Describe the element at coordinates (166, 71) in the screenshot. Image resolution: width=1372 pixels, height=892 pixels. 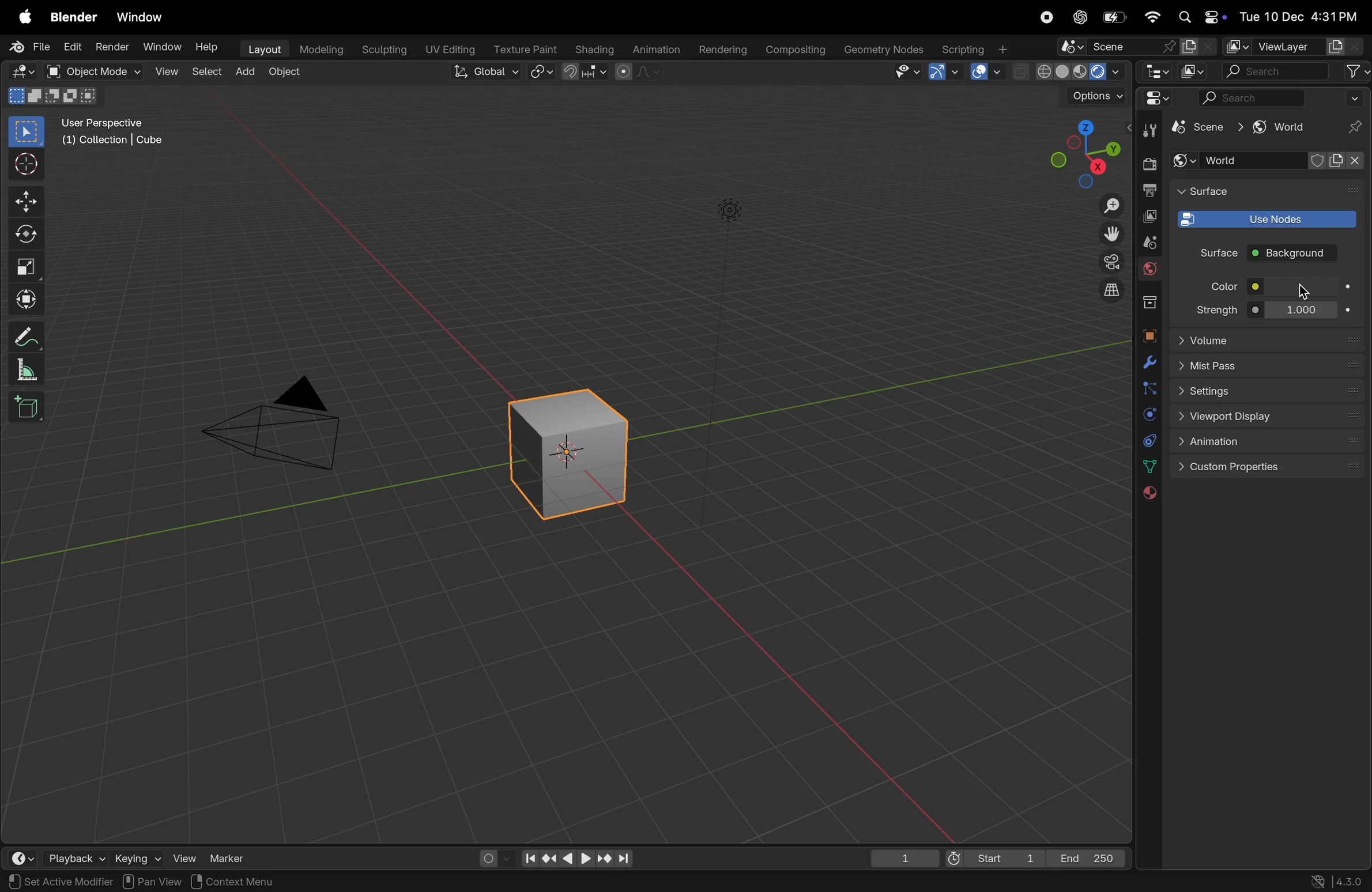
I see `View` at that location.